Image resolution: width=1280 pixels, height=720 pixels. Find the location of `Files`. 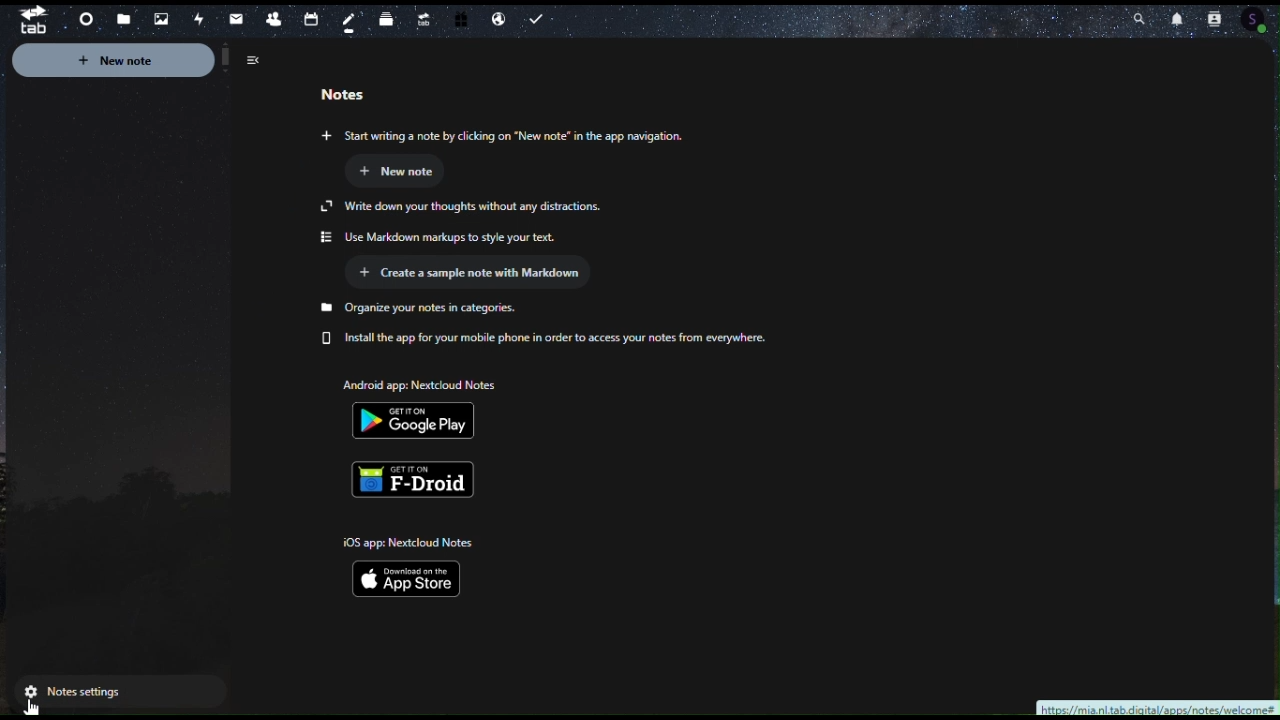

Files is located at coordinates (123, 20).